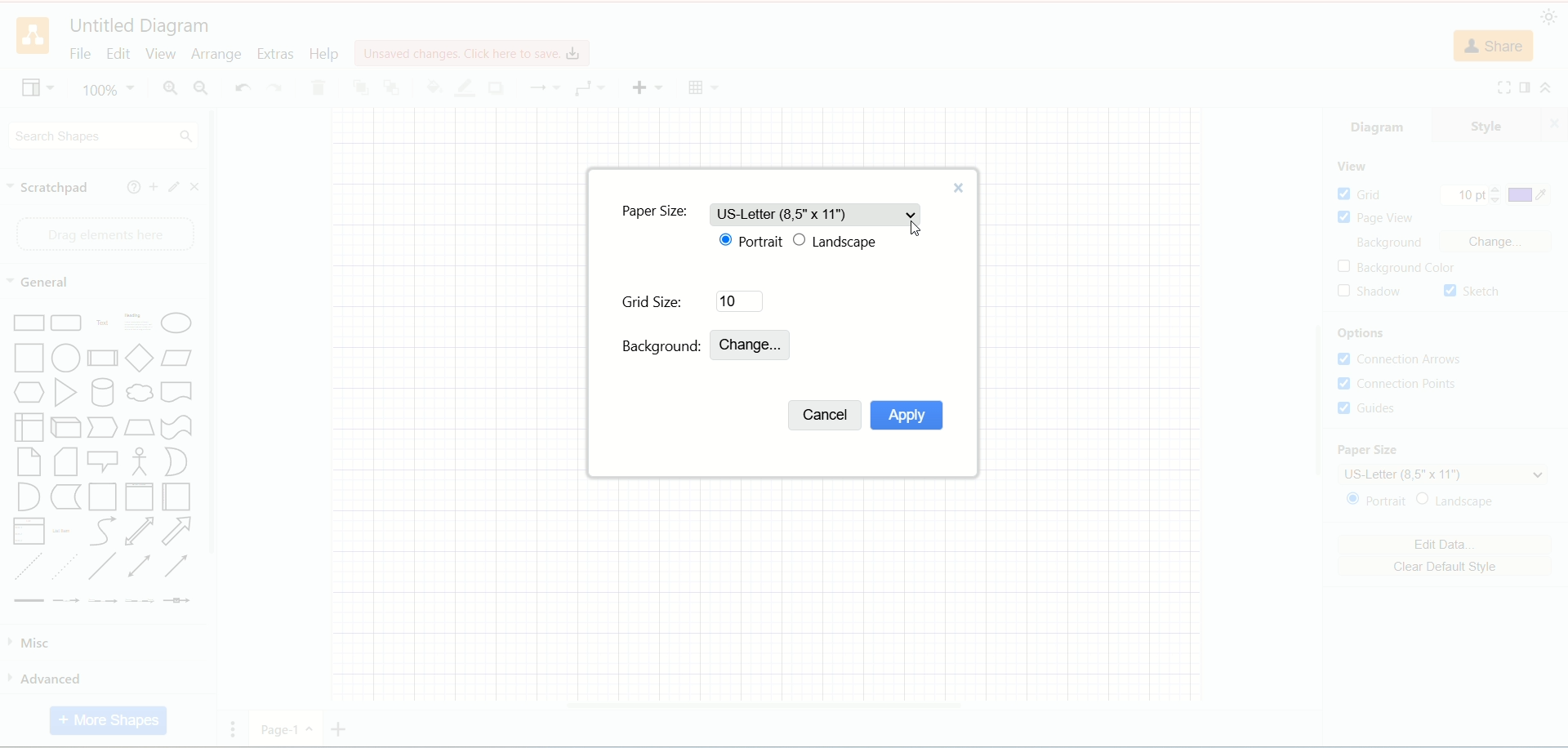 This screenshot has width=1568, height=748. What do you see at coordinates (1445, 474) in the screenshot?
I see `US letter` at bounding box center [1445, 474].